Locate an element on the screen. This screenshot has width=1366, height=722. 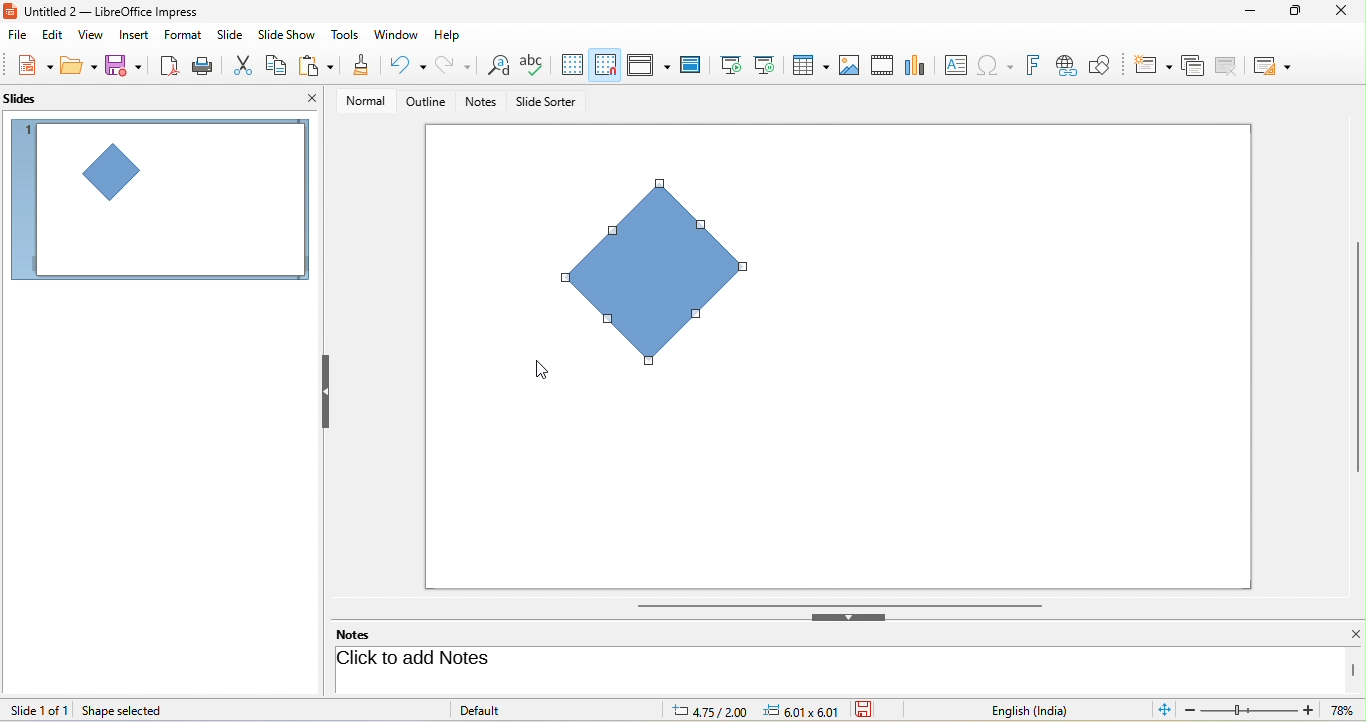
notes is located at coordinates (366, 634).